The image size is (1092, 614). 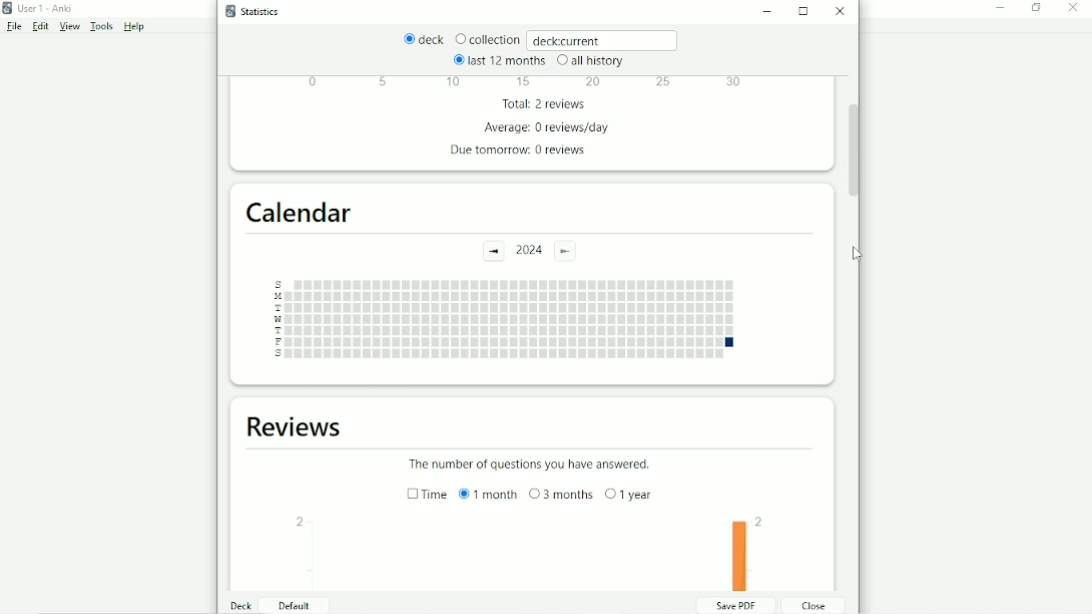 I want to click on Scale, so click(x=533, y=82).